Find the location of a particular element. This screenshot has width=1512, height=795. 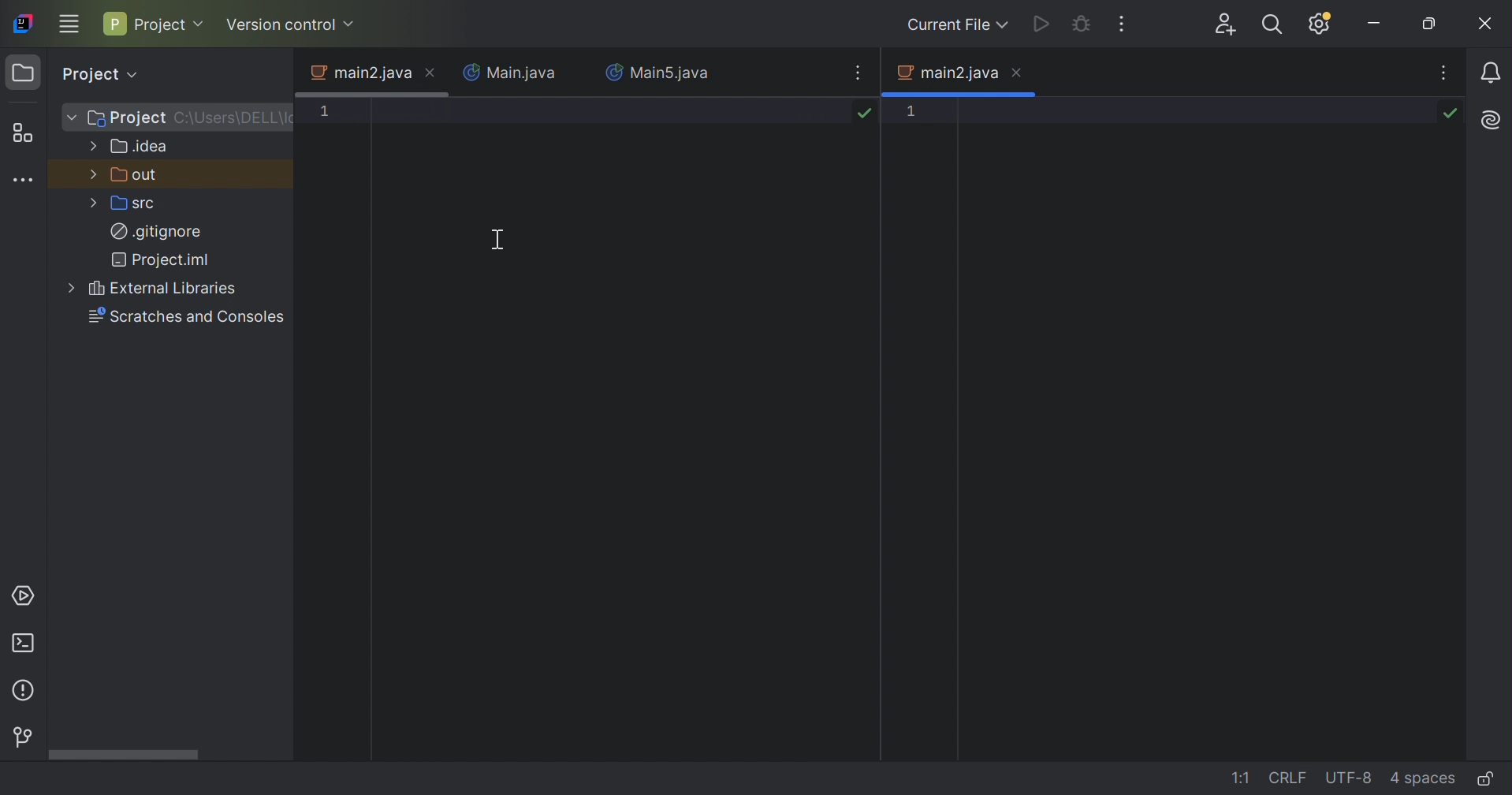

Close is located at coordinates (1482, 25).